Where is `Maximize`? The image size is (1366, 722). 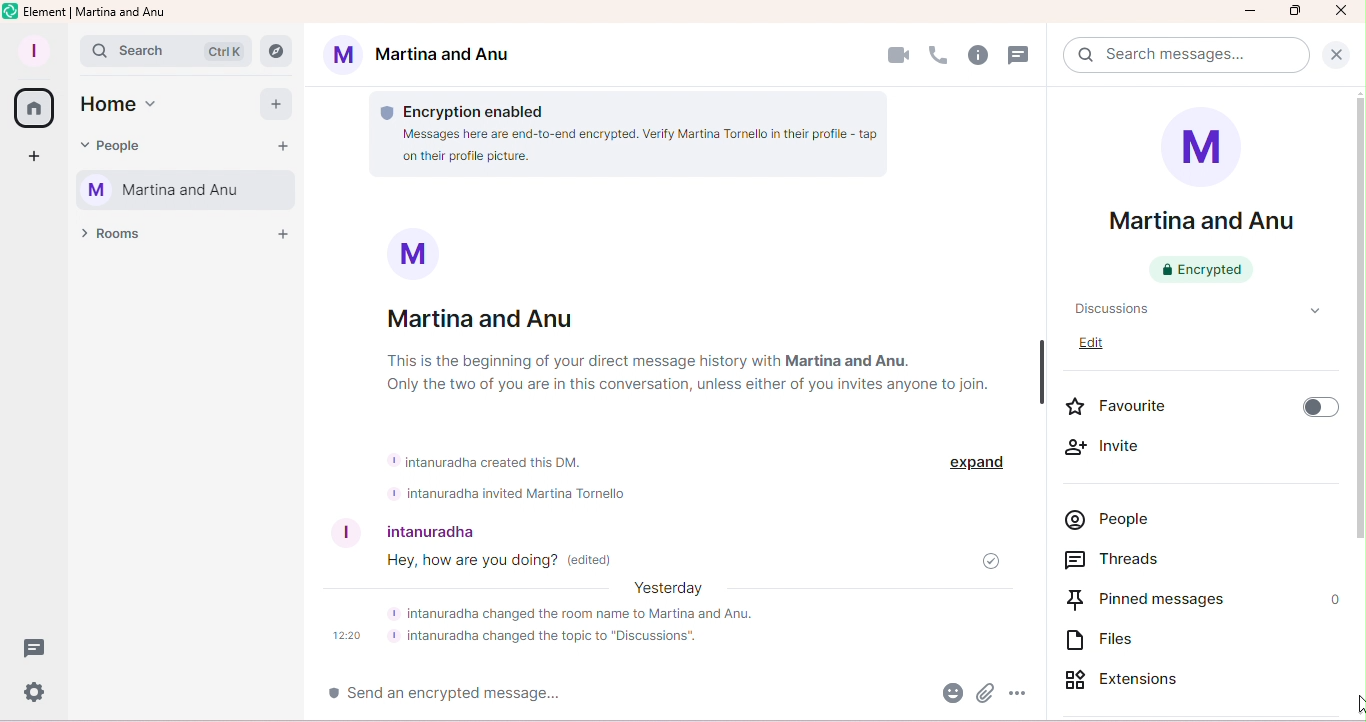 Maximize is located at coordinates (1296, 11).